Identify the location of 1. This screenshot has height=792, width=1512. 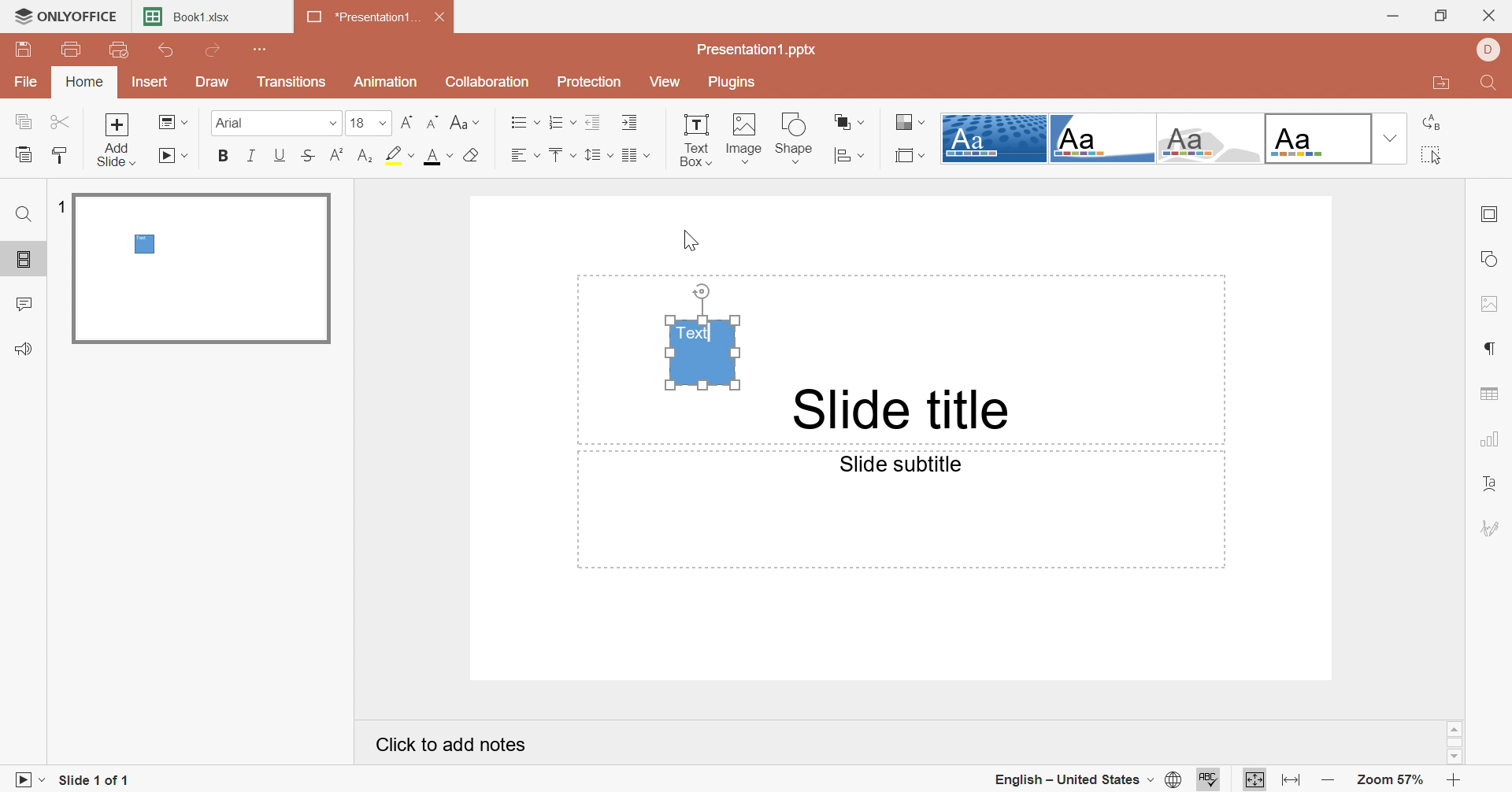
(59, 203).